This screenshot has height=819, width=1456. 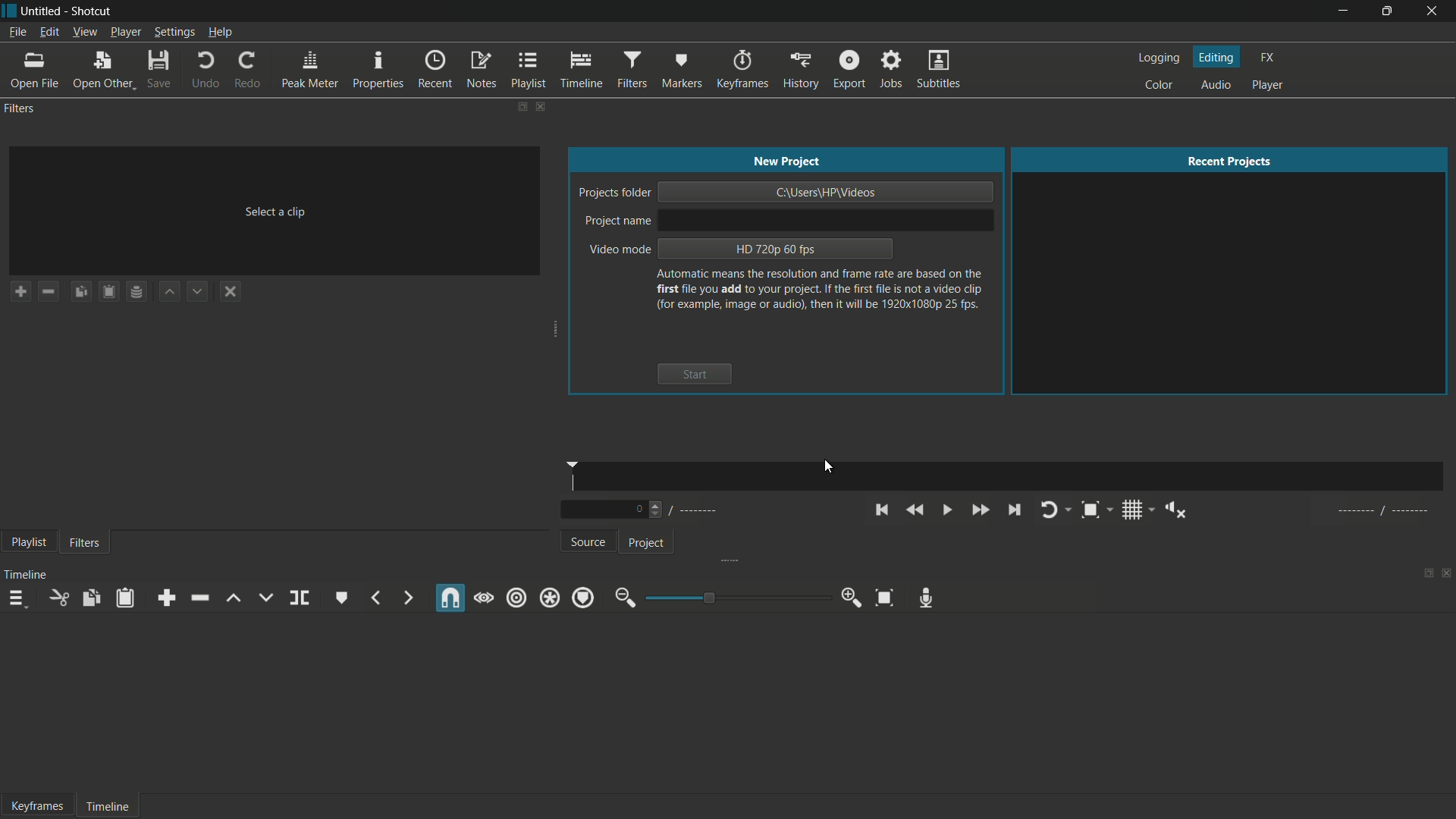 What do you see at coordinates (1178, 510) in the screenshot?
I see `show volume control` at bounding box center [1178, 510].